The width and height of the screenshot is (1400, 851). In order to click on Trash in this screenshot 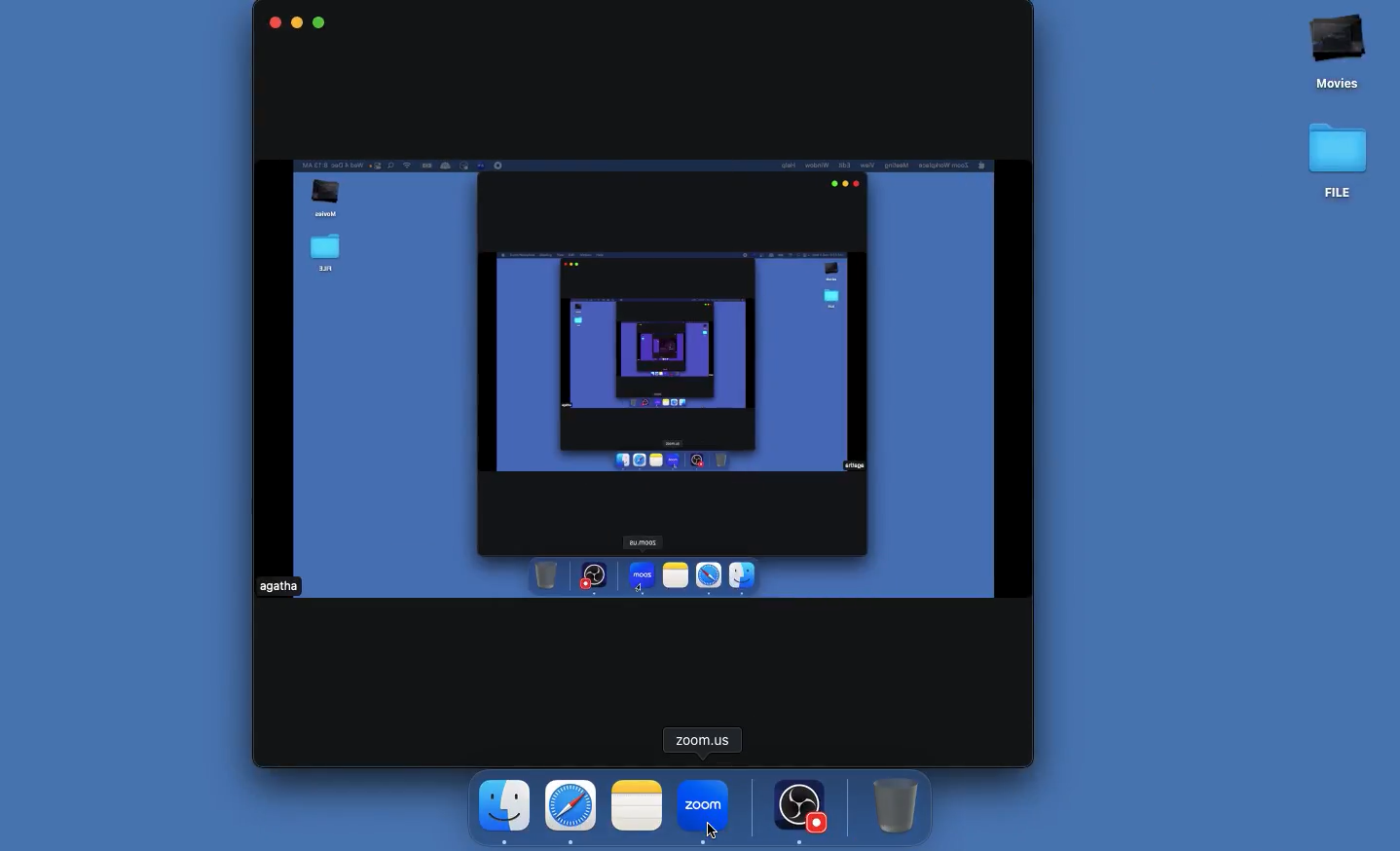, I will do `click(895, 803)`.